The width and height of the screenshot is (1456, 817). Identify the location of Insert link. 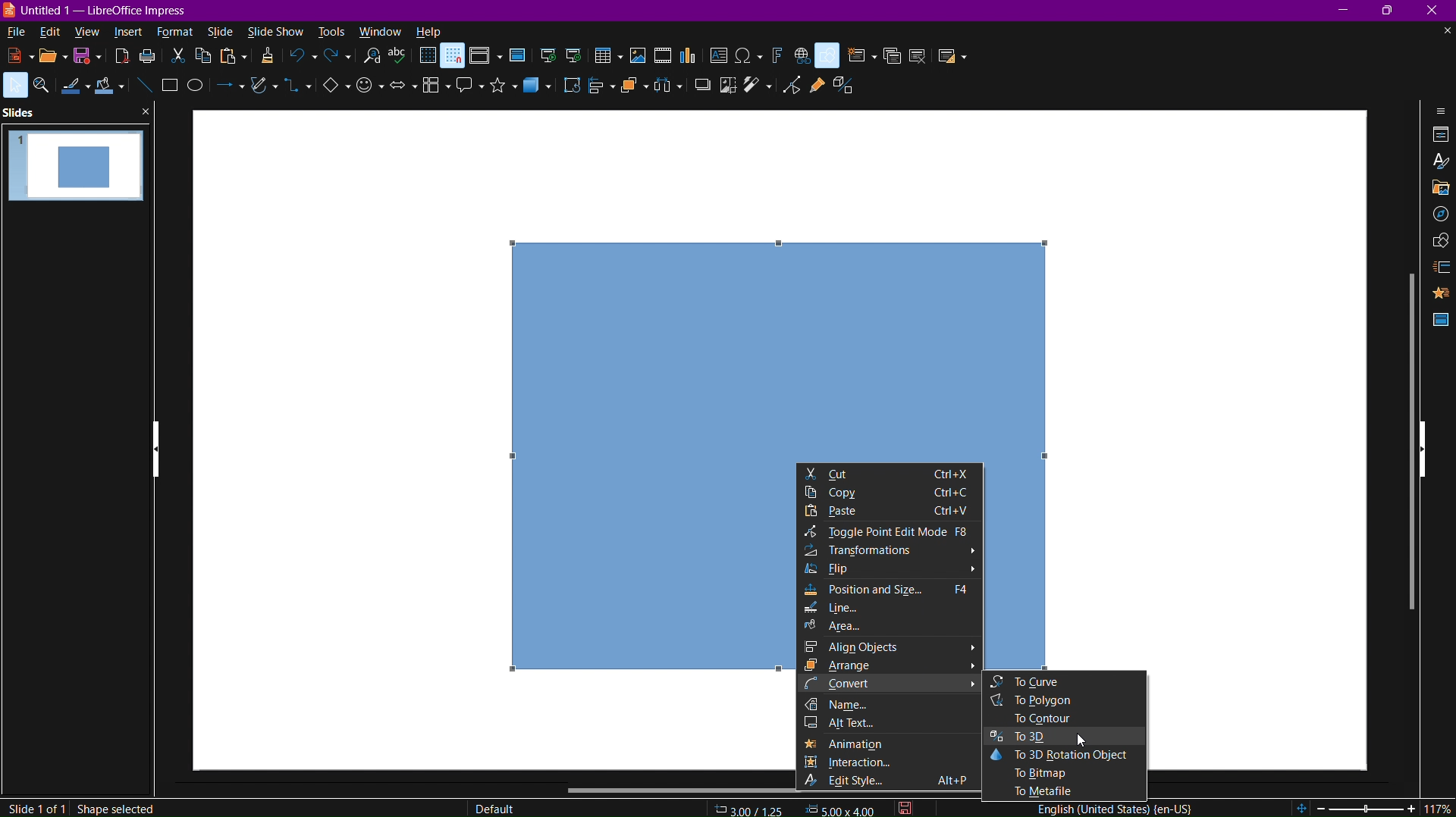
(802, 56).